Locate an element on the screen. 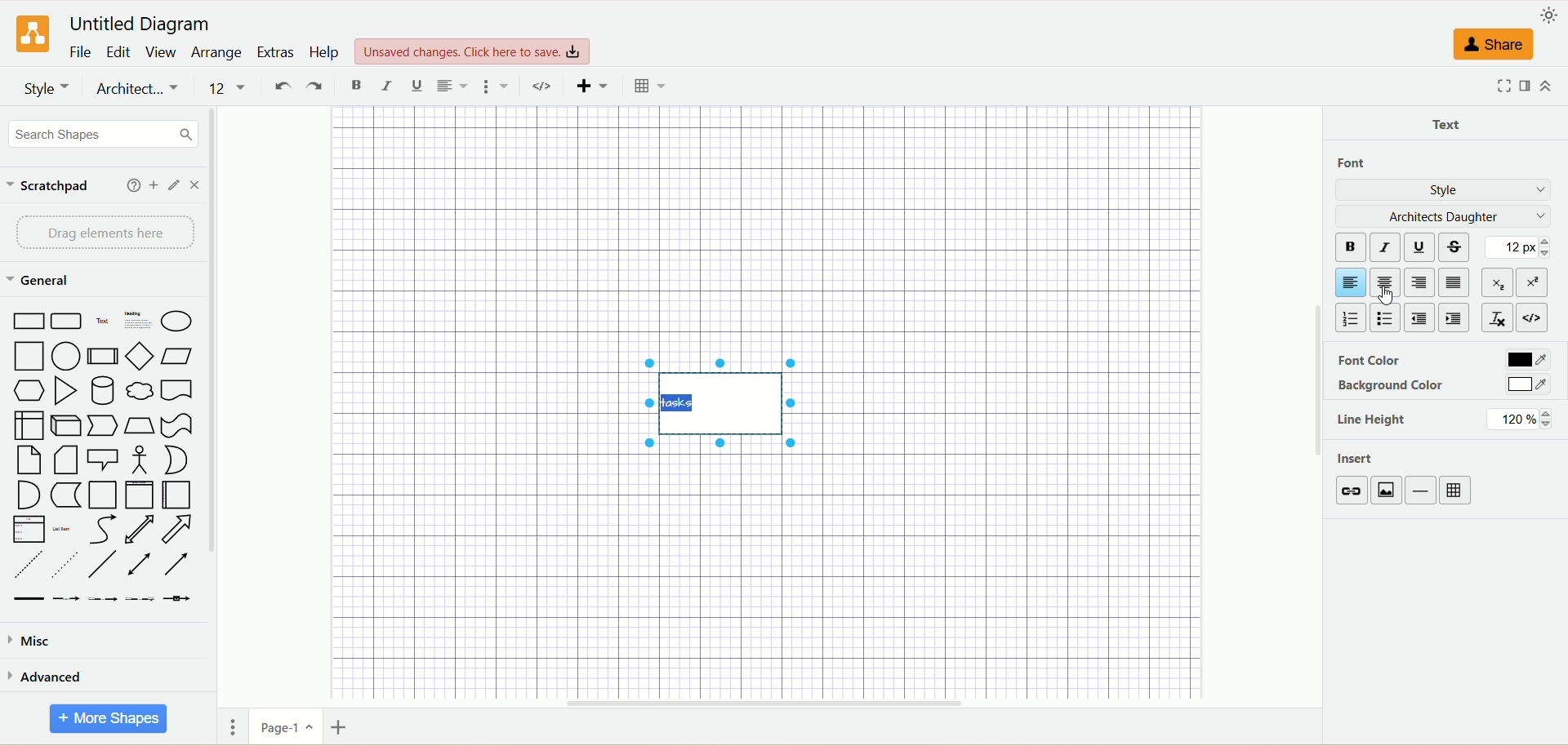 The width and height of the screenshot is (1568, 746). Vertical Page is located at coordinates (140, 496).